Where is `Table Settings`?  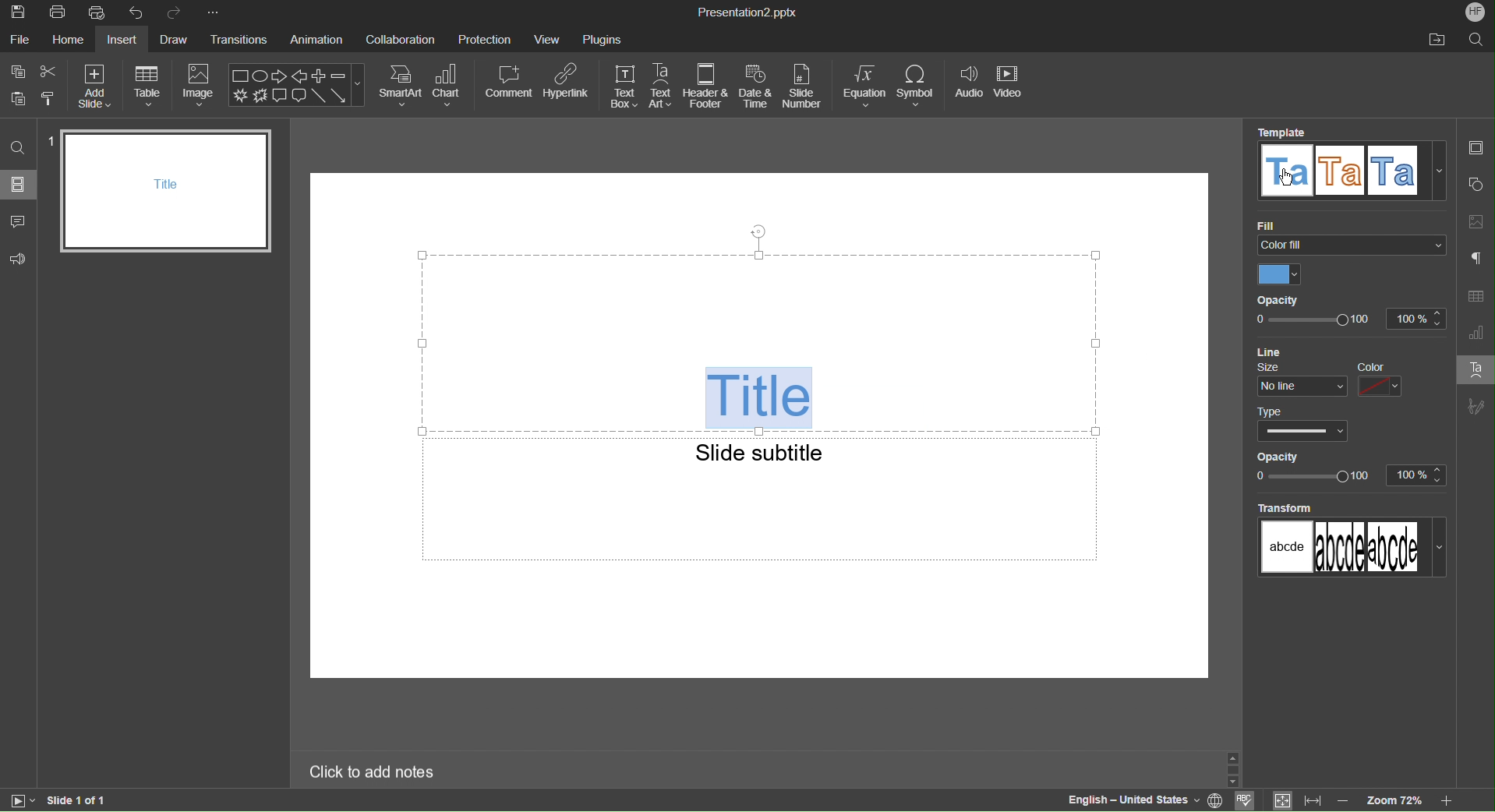
Table Settings is located at coordinates (1476, 296).